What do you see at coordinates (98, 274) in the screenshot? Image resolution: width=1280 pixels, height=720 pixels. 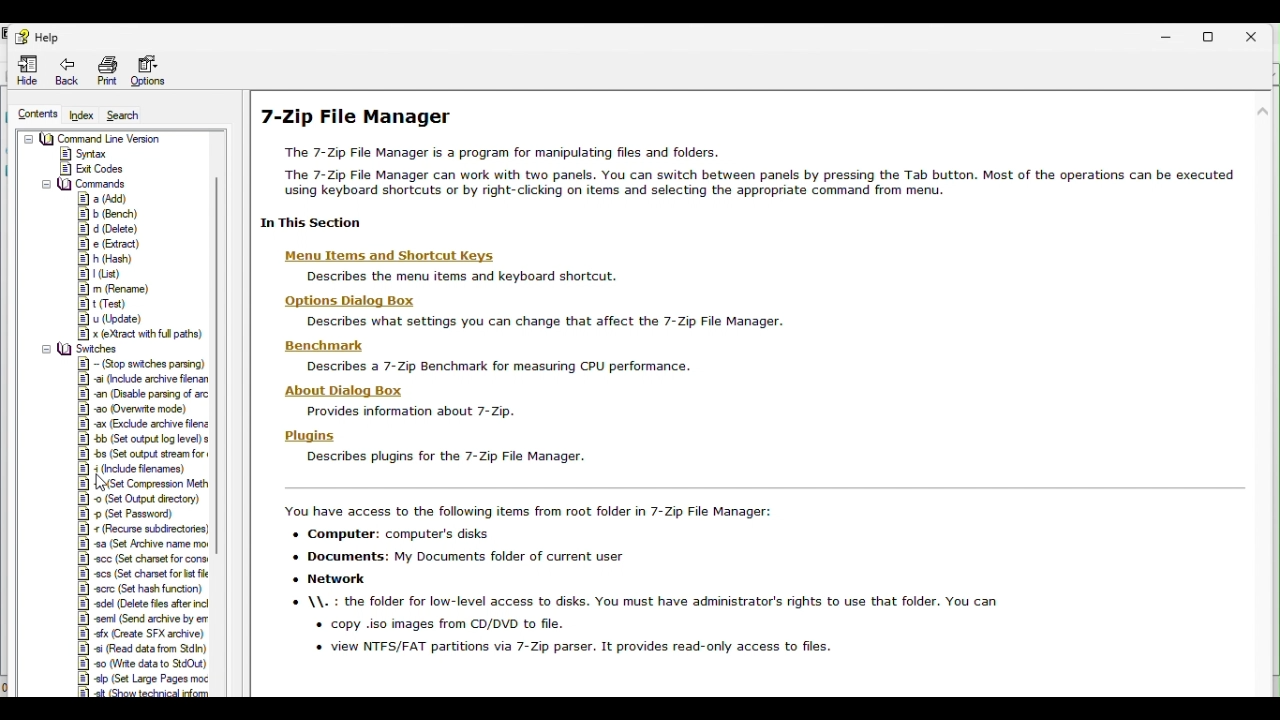 I see `List` at bounding box center [98, 274].